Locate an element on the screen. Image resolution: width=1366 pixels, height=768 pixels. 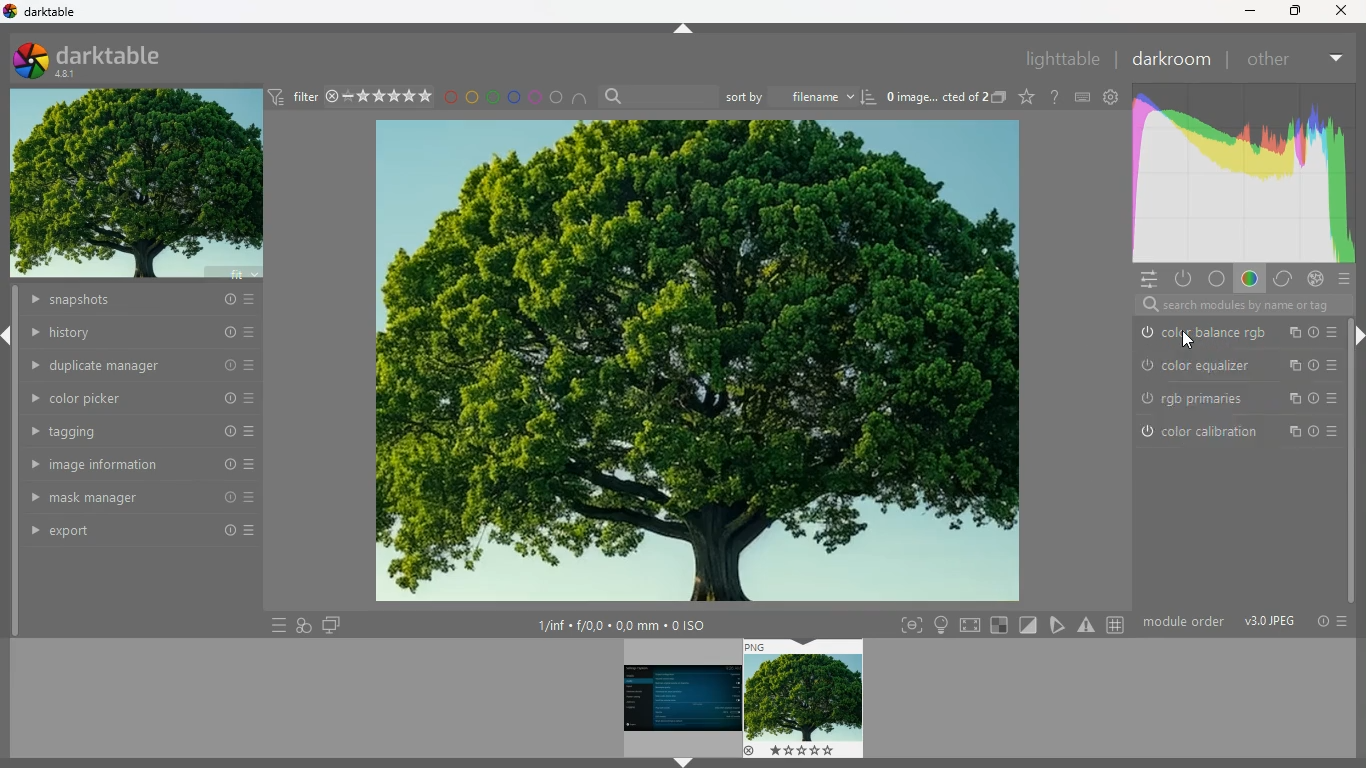
image is located at coordinates (679, 698).